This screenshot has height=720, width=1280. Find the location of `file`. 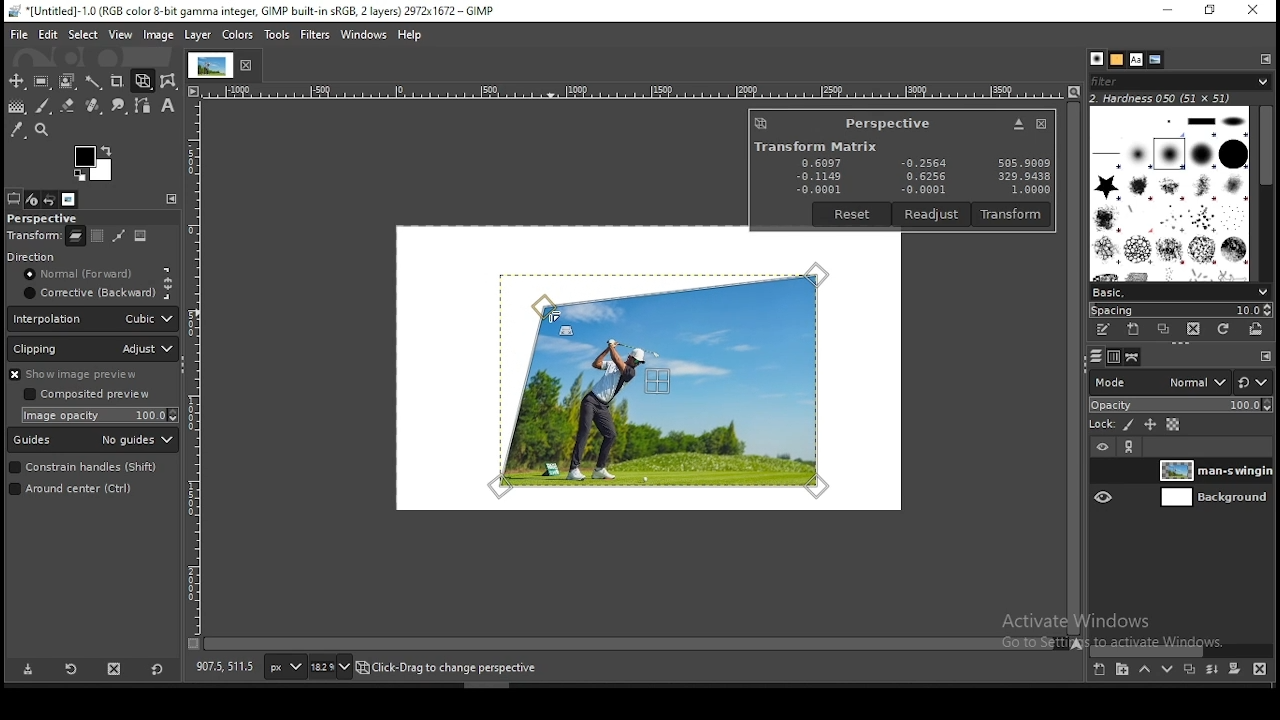

file is located at coordinates (18, 35).